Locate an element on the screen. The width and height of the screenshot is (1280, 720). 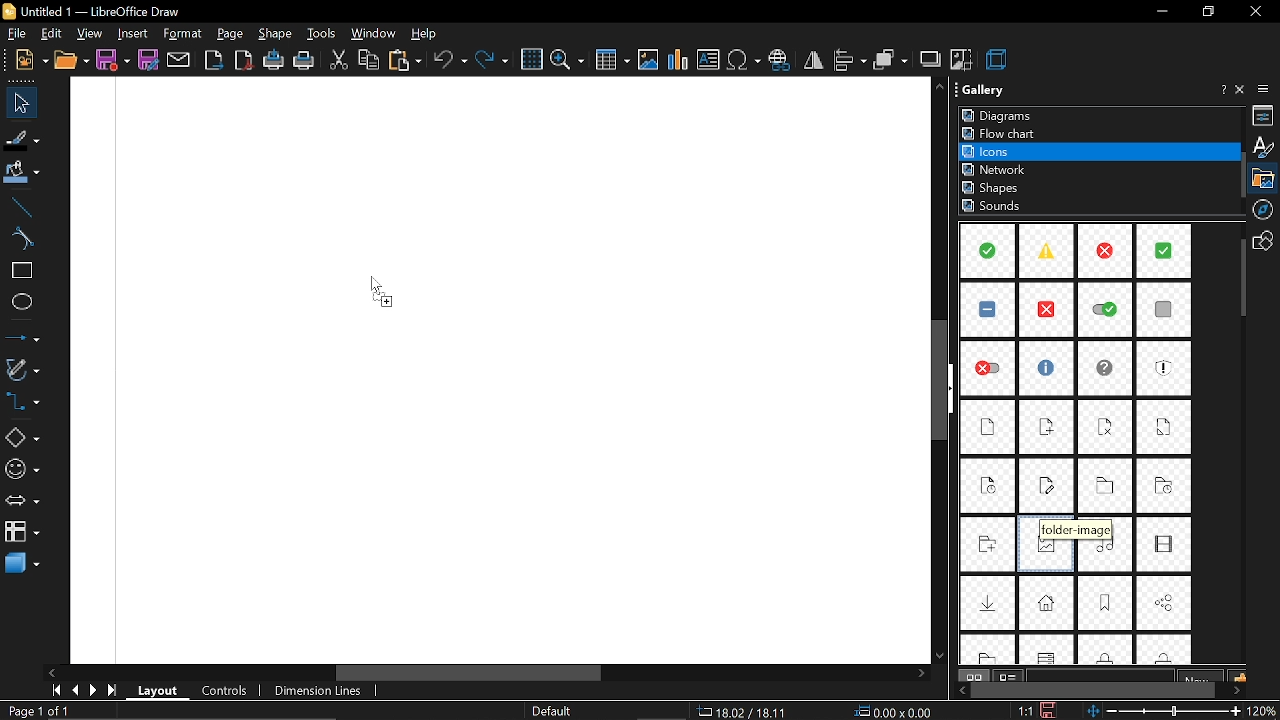
close is located at coordinates (1255, 13).